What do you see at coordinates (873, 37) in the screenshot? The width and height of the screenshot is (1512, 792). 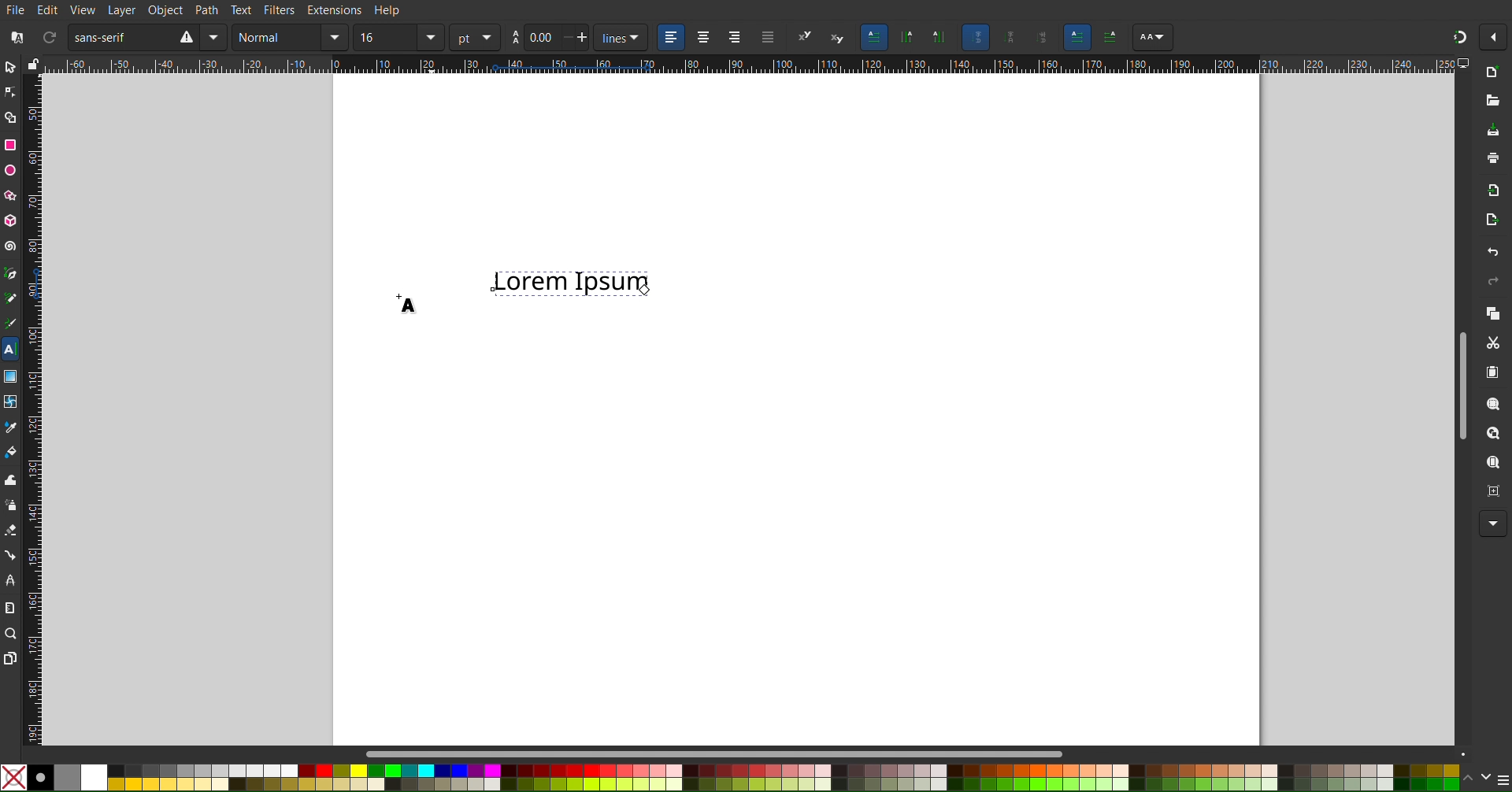 I see `Units` at bounding box center [873, 37].